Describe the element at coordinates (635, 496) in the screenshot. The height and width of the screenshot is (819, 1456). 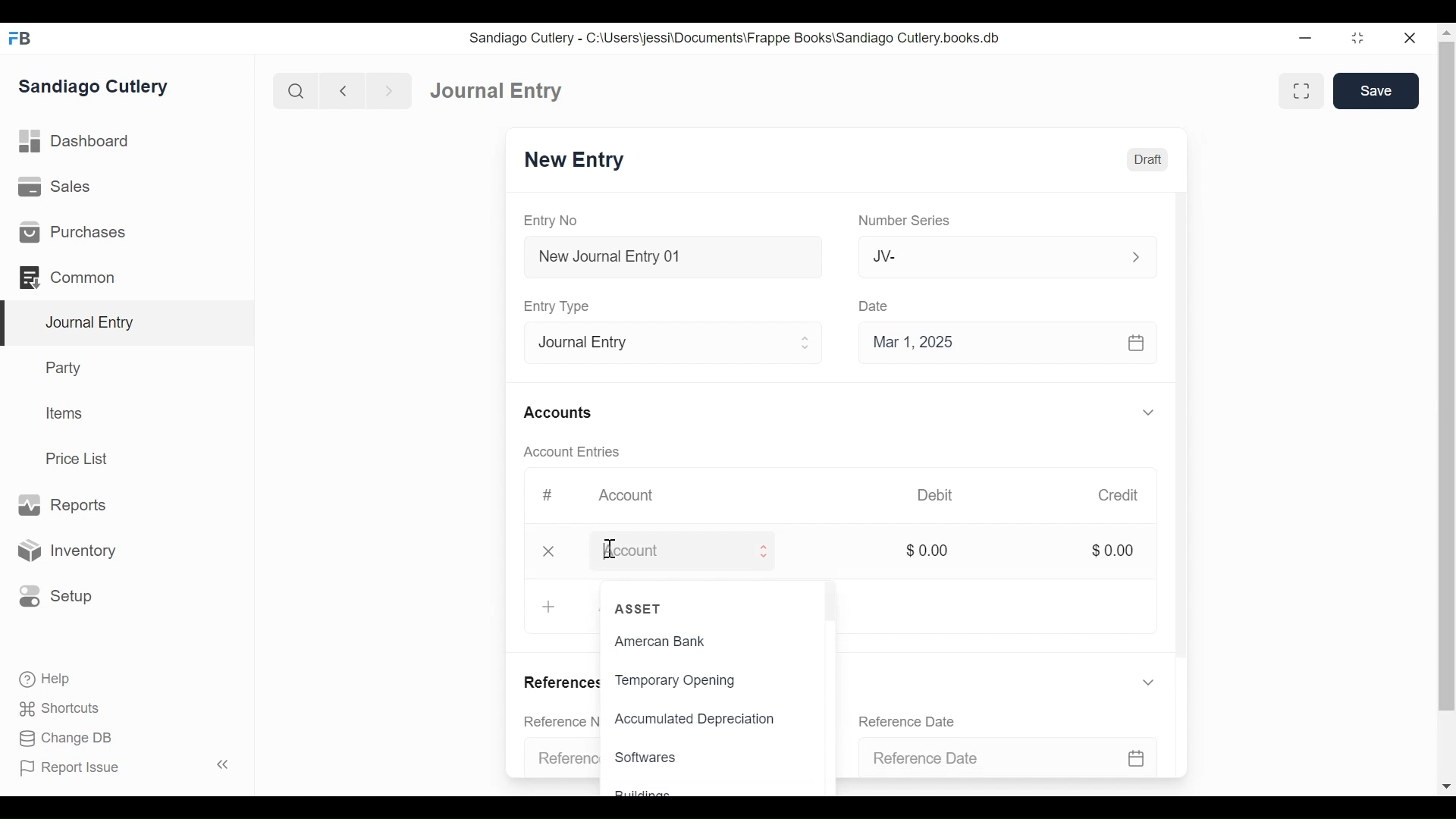
I see `Account` at that location.